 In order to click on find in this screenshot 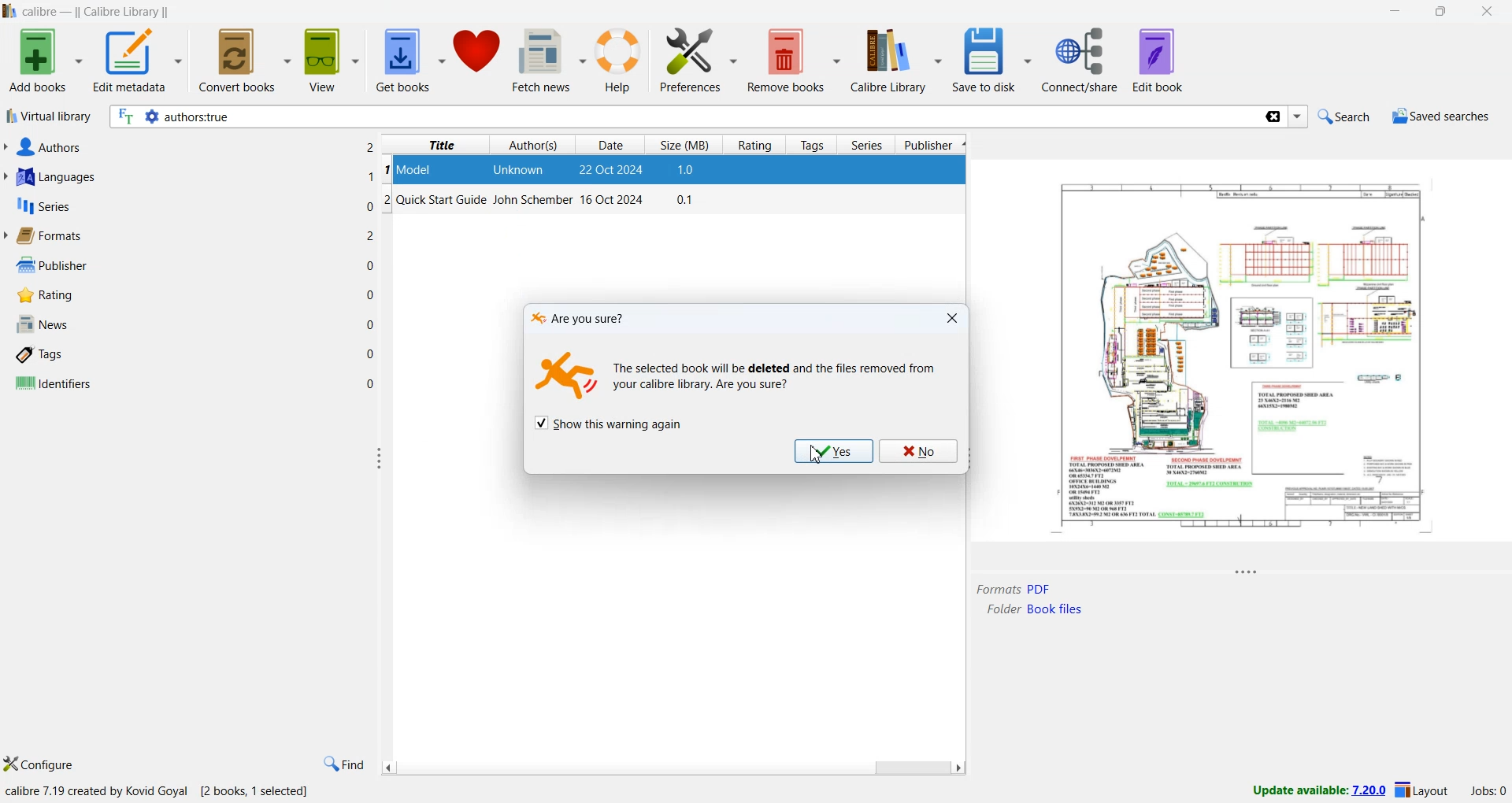, I will do `click(343, 764)`.